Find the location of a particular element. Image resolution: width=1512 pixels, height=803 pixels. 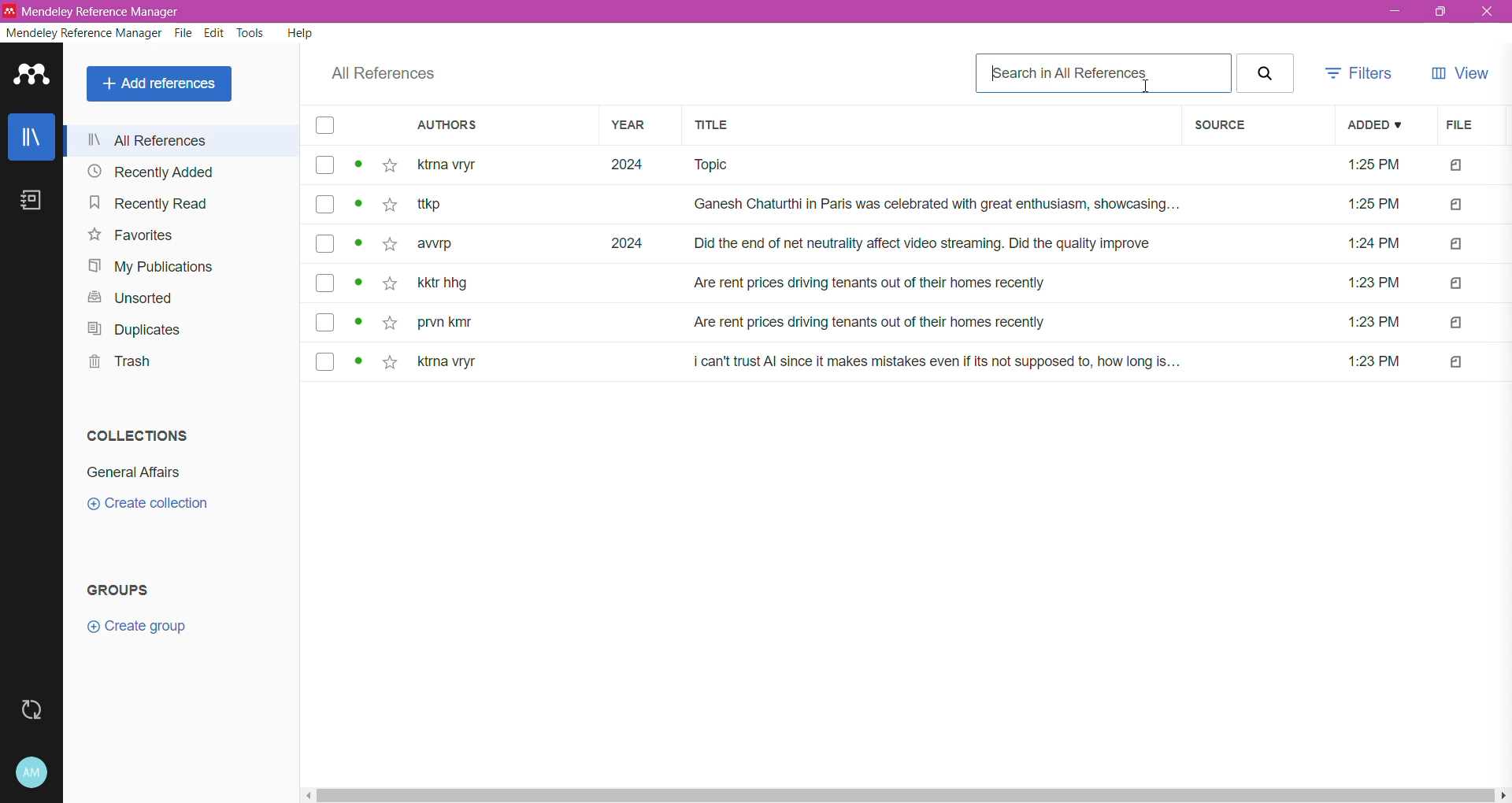

Duplicates is located at coordinates (143, 330).